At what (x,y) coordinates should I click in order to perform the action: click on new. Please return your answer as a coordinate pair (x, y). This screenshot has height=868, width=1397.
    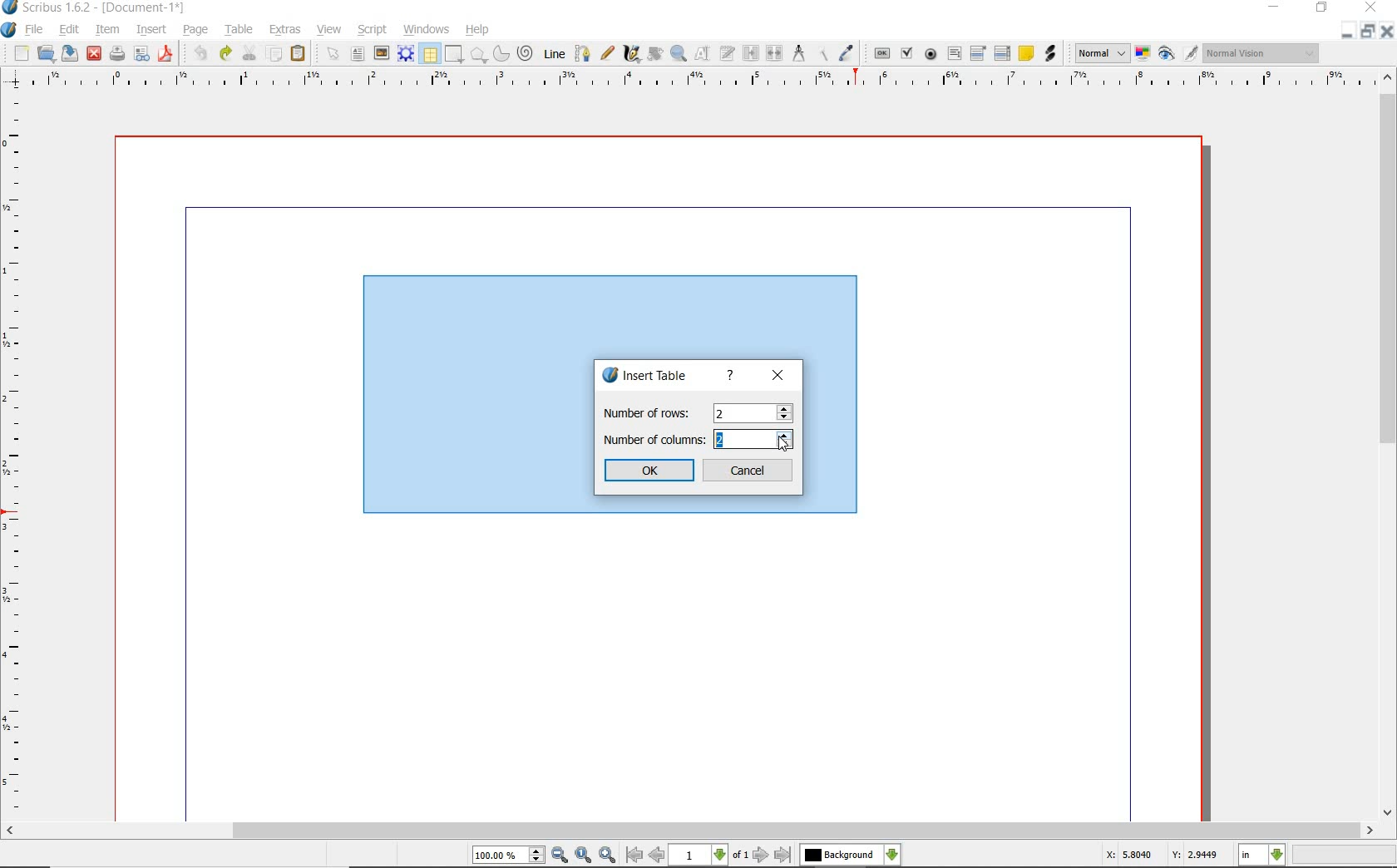
    Looking at the image, I should click on (22, 55).